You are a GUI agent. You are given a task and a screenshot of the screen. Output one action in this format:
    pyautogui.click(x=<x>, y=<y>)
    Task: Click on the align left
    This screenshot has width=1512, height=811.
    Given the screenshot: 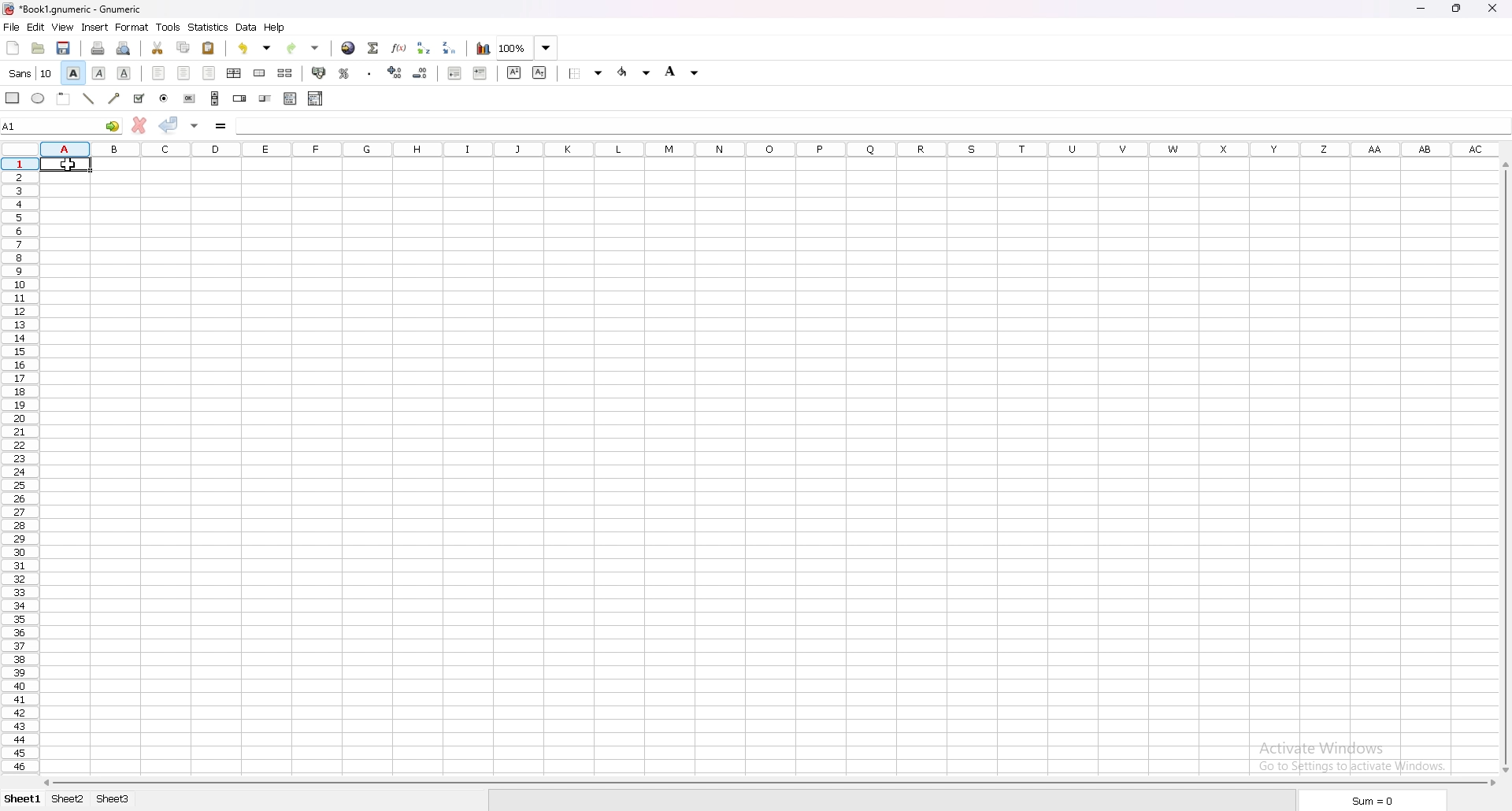 What is the action you would take?
    pyautogui.click(x=158, y=73)
    